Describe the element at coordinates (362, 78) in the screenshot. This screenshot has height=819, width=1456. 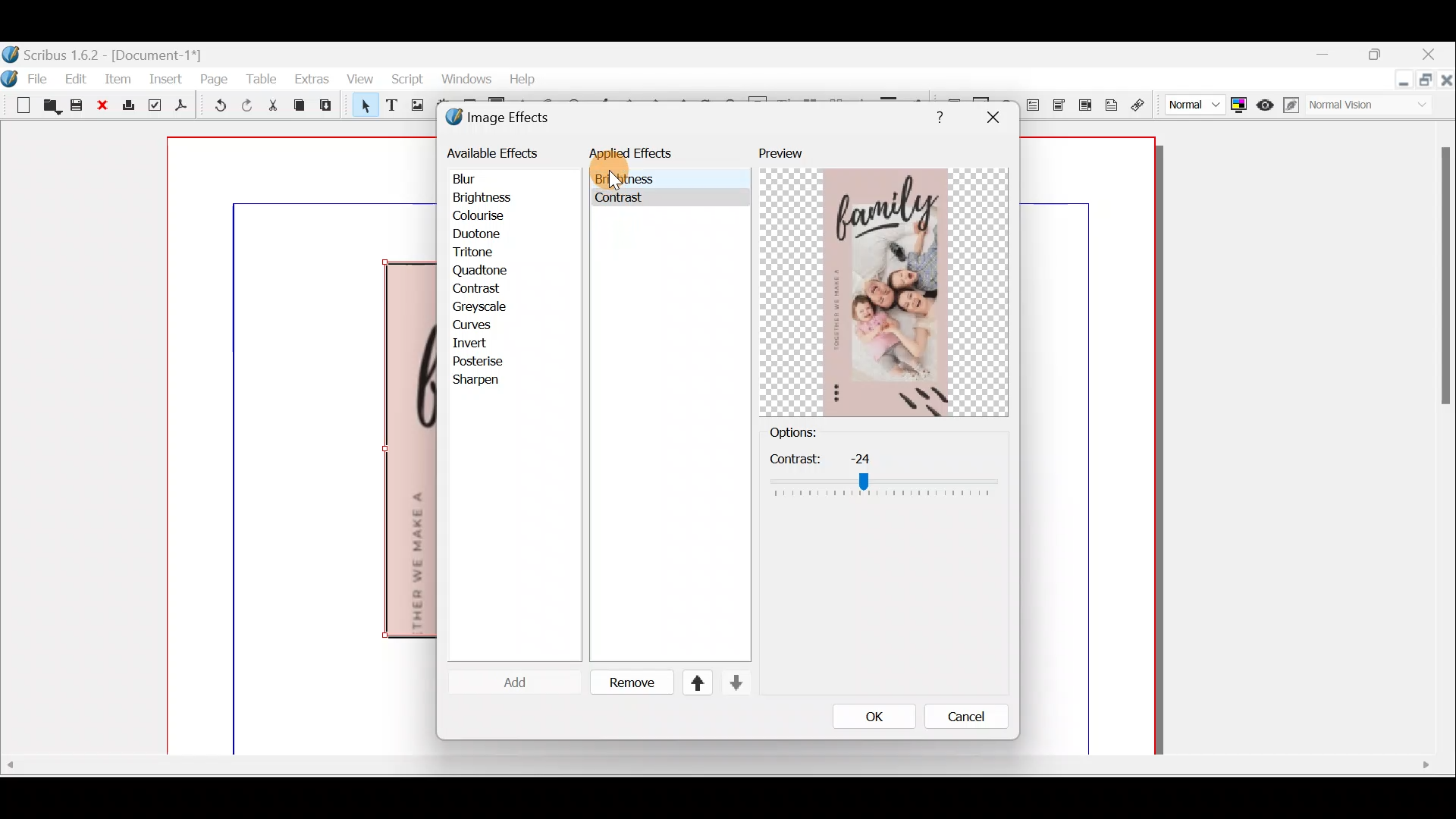
I see `View` at that location.